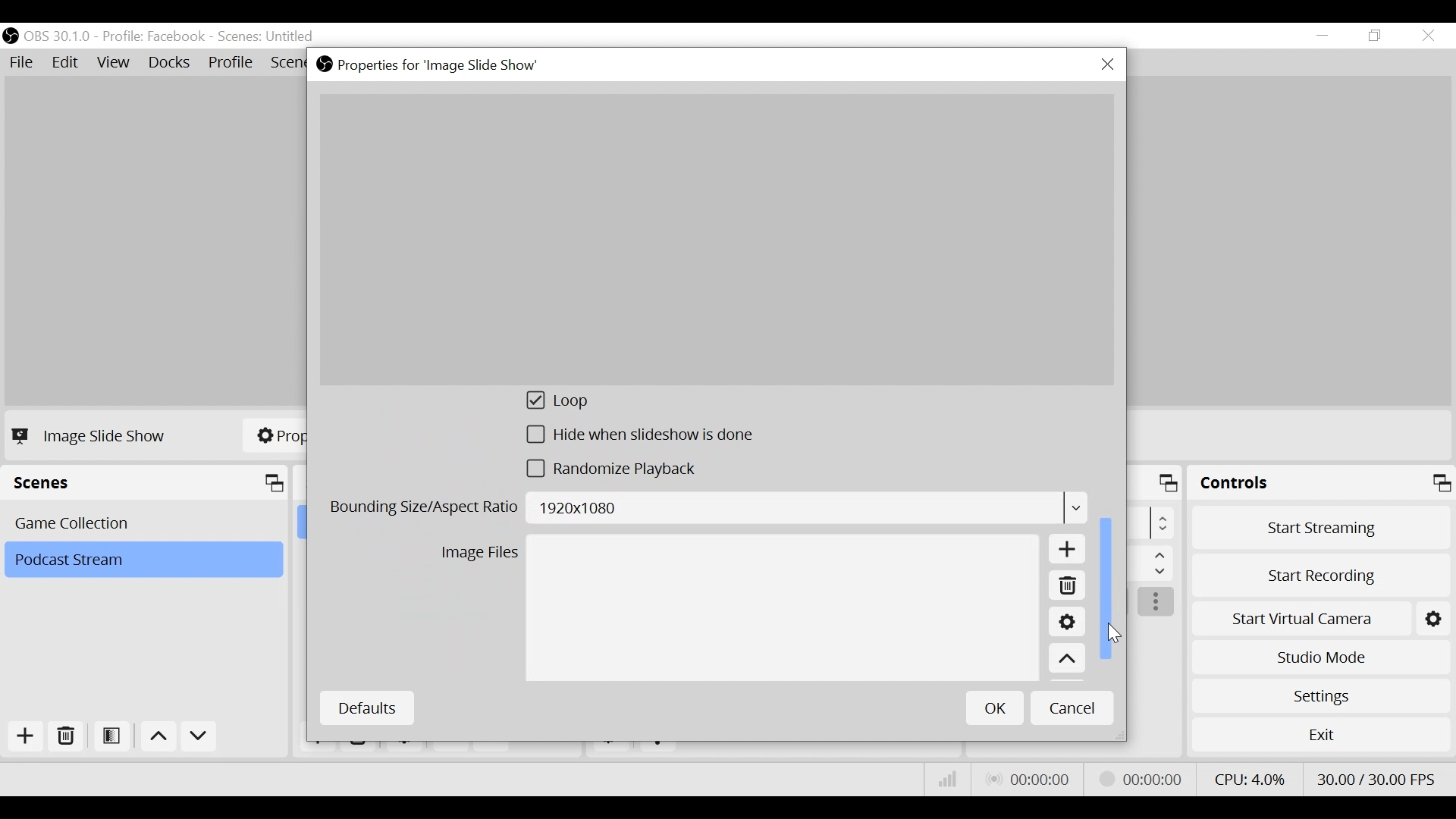 The height and width of the screenshot is (819, 1456). Describe the element at coordinates (1376, 36) in the screenshot. I see `Restore` at that location.